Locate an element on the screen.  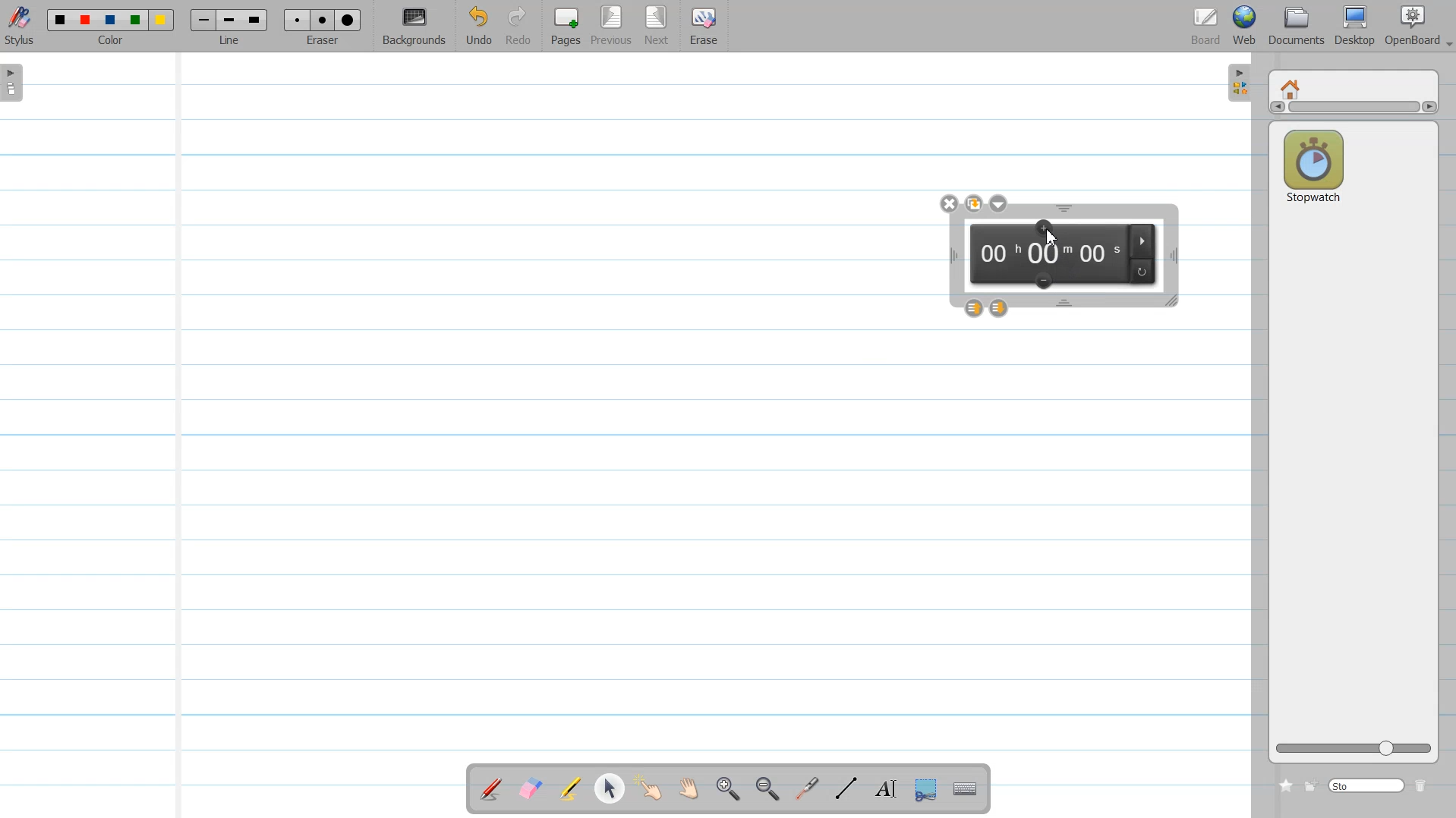
Document is located at coordinates (1297, 26).